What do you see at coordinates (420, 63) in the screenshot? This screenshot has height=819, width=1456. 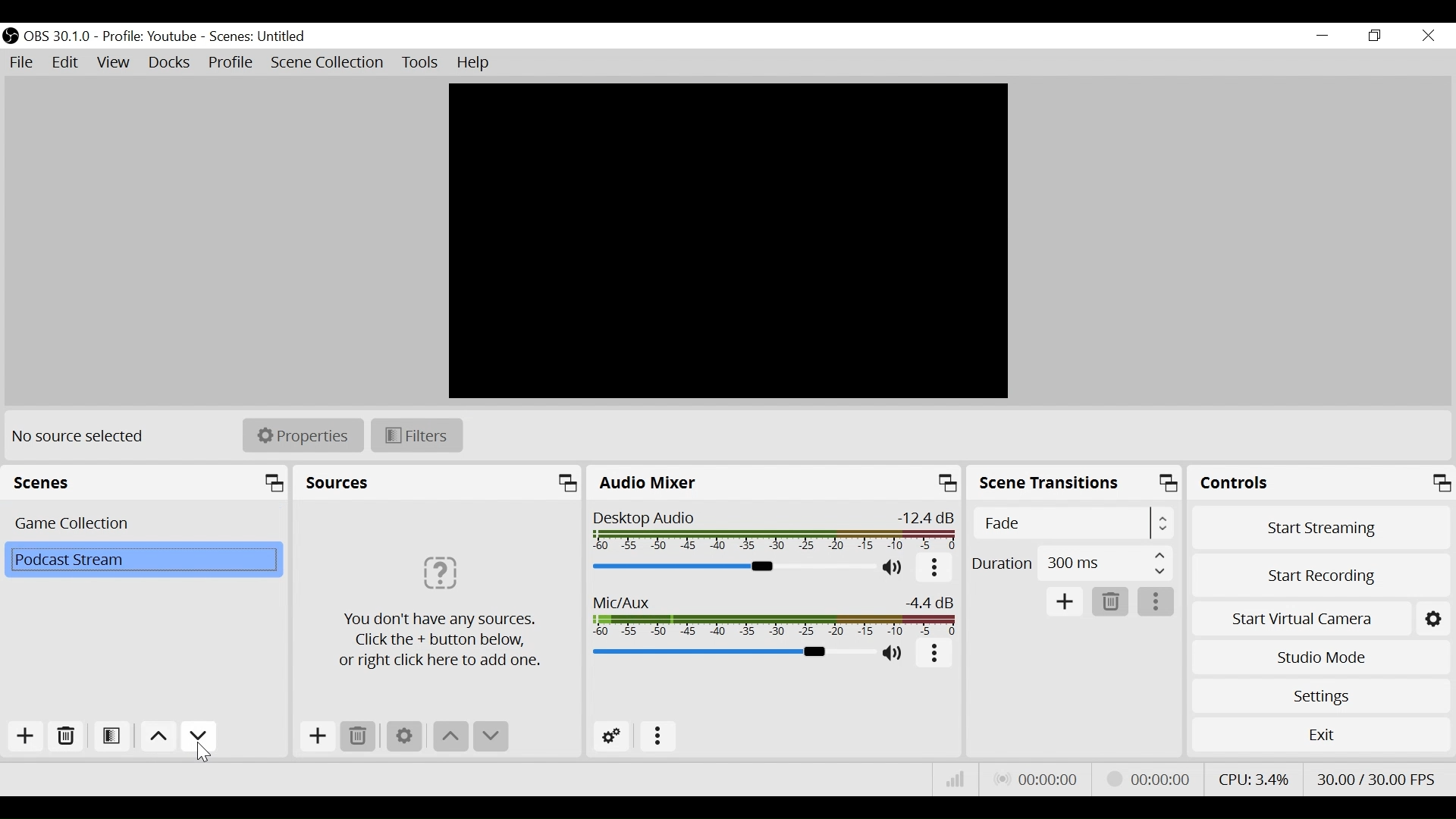 I see `Tools` at bounding box center [420, 63].